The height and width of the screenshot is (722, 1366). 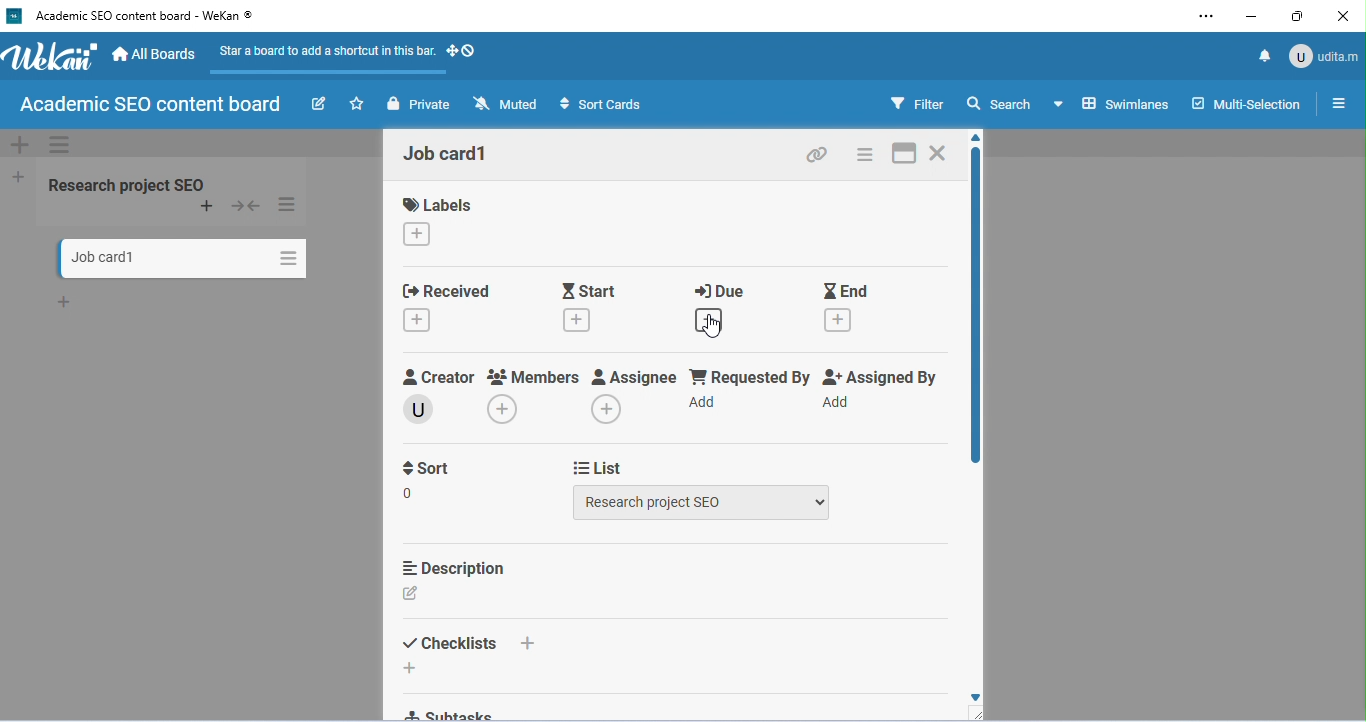 I want to click on list actions, so click(x=289, y=205).